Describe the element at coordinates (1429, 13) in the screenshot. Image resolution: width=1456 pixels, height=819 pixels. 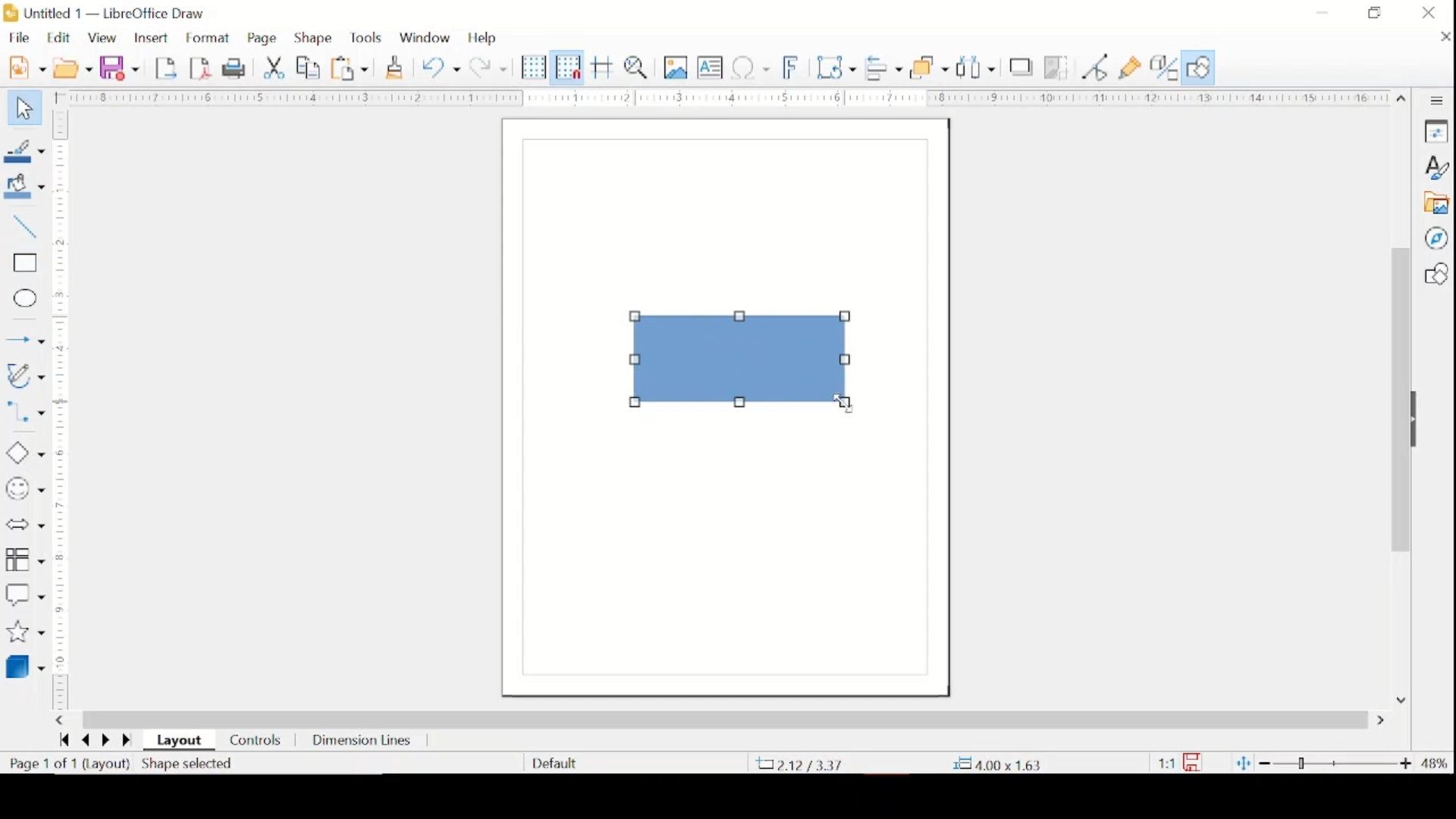
I see `close` at that location.